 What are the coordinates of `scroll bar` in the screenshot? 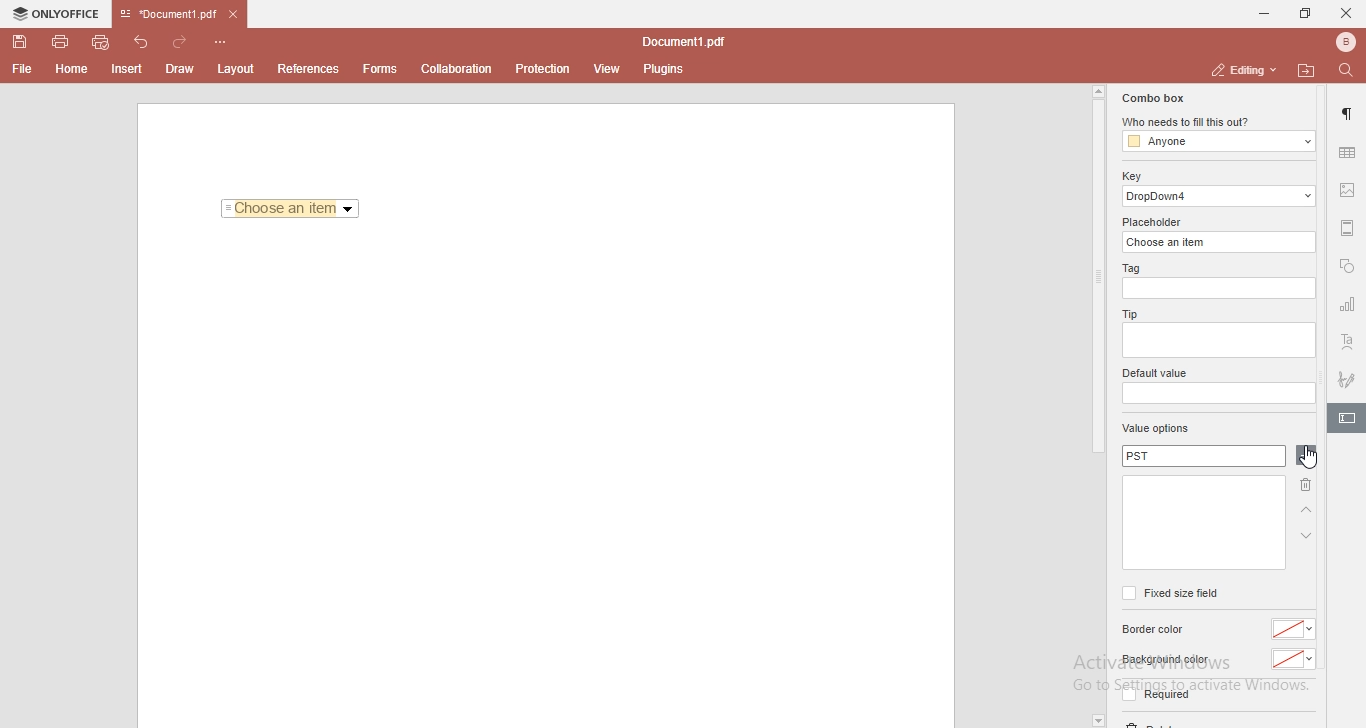 It's located at (1097, 270).